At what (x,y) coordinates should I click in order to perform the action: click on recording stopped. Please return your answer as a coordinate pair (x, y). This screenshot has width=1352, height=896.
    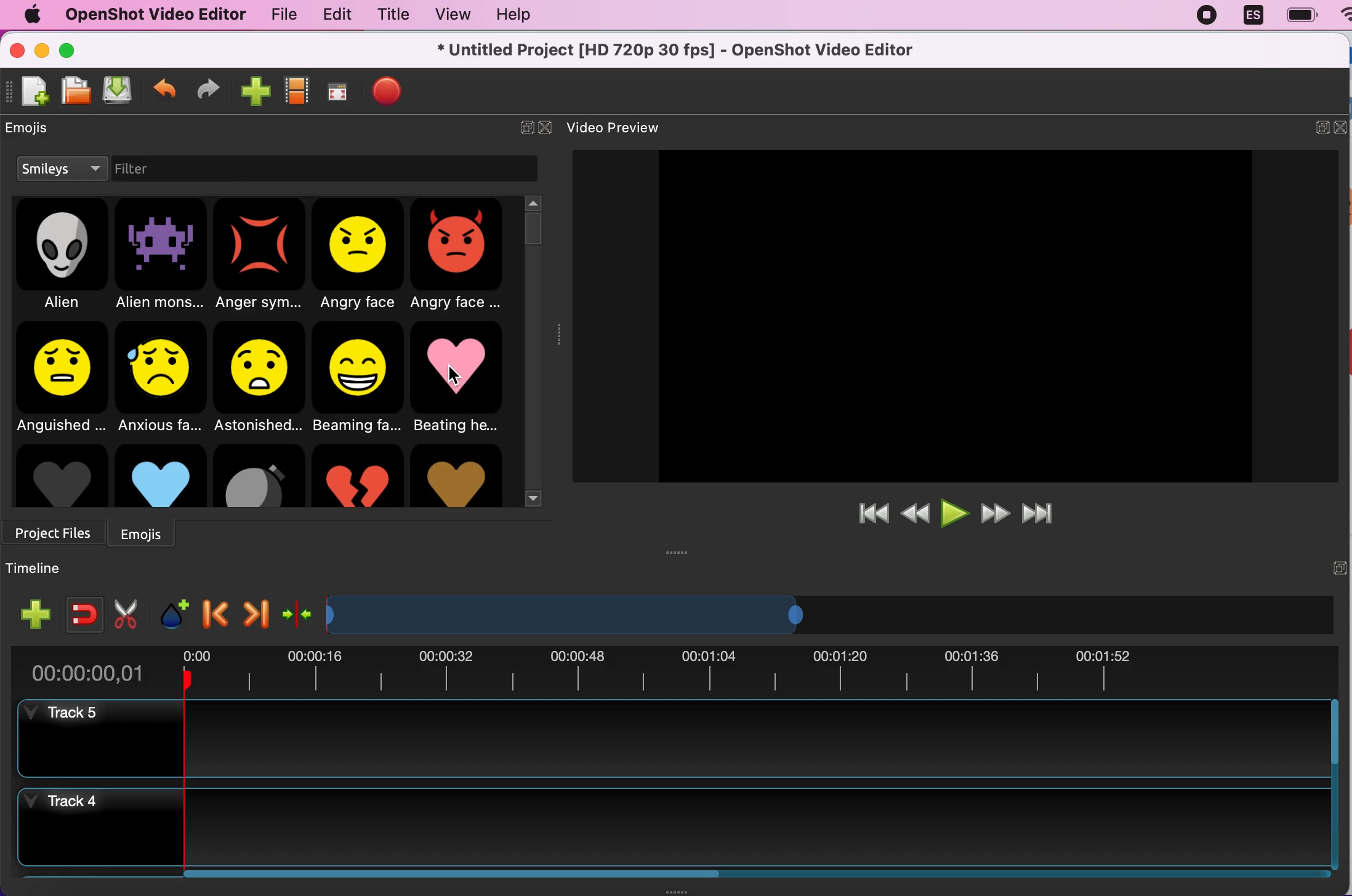
    Looking at the image, I should click on (1202, 15).